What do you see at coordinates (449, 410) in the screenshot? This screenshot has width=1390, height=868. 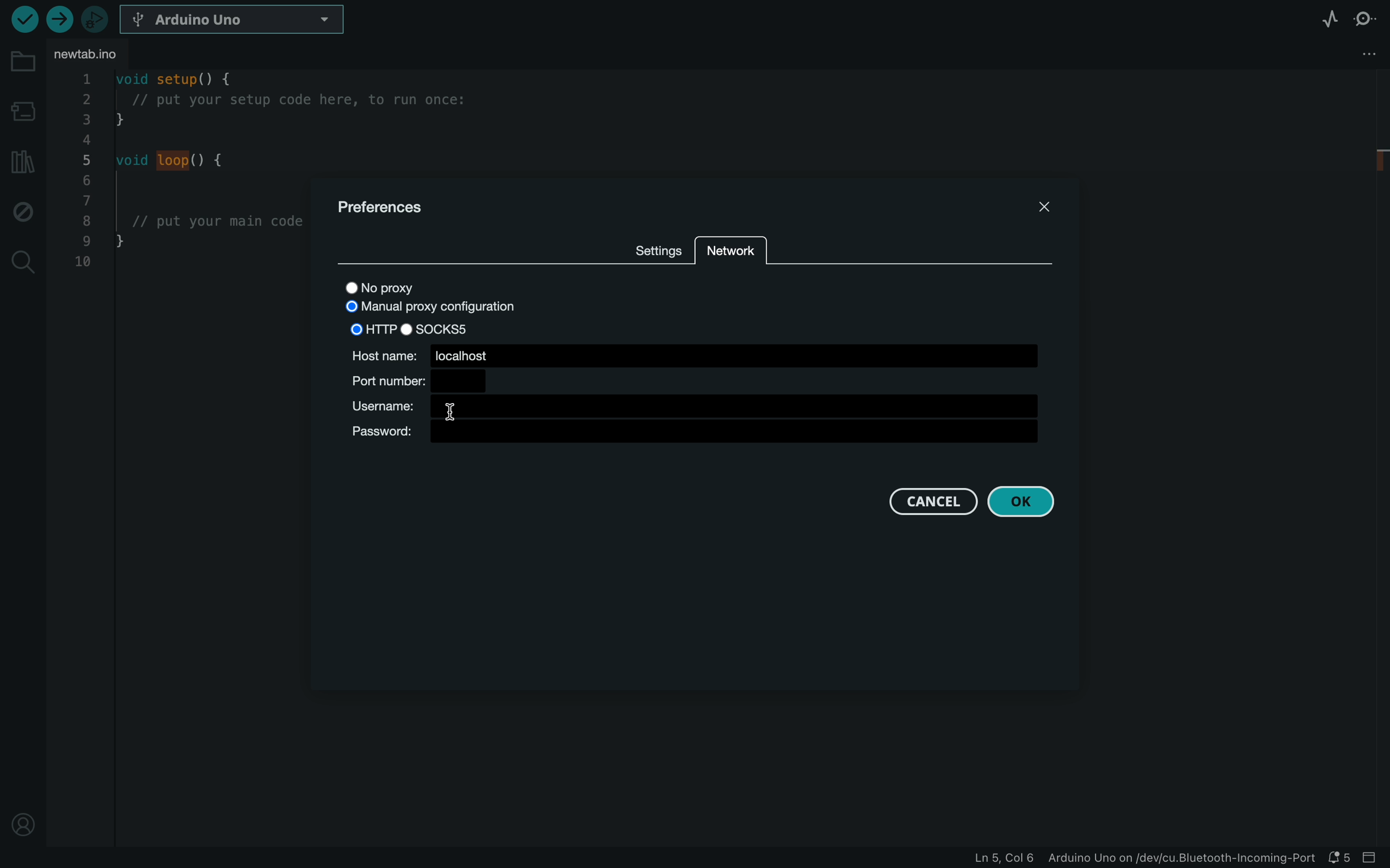 I see `cursor` at bounding box center [449, 410].